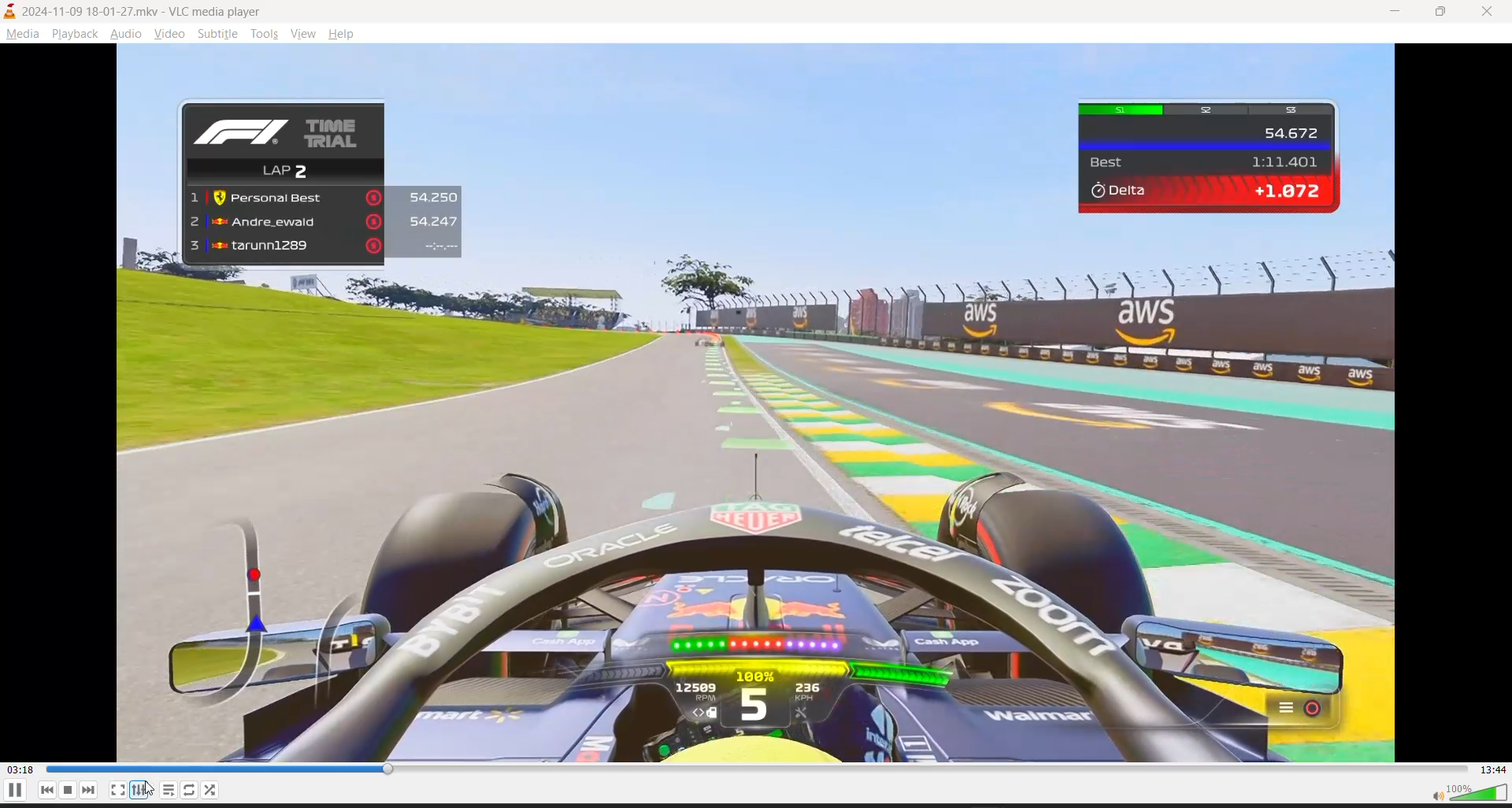 The image size is (1512, 808). Describe the element at coordinates (265, 32) in the screenshot. I see `tools` at that location.